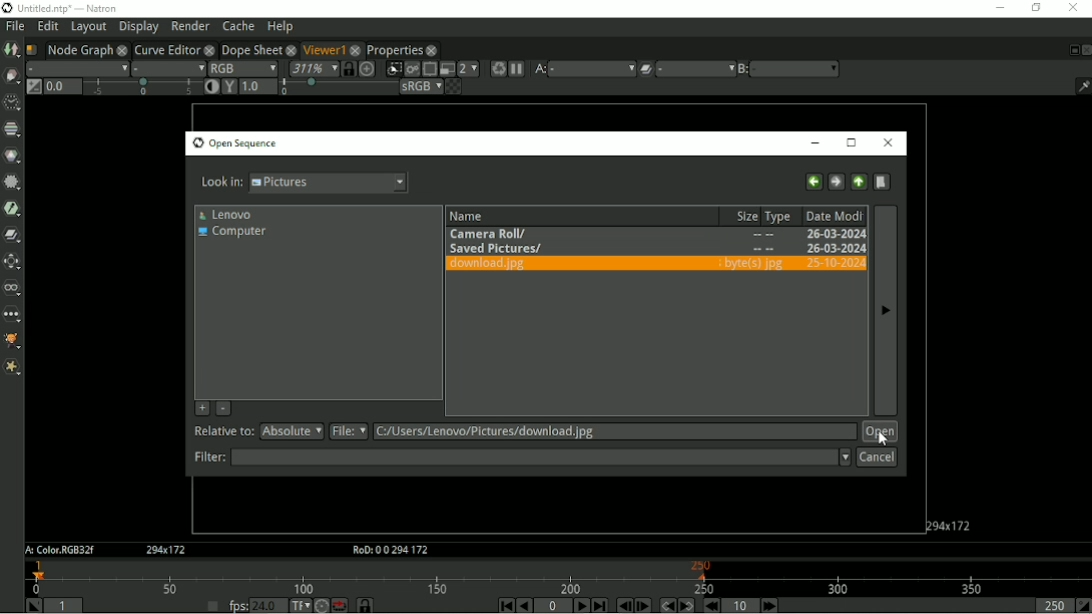 This screenshot has width=1092, height=614. Describe the element at coordinates (219, 430) in the screenshot. I see `relative to:` at that location.